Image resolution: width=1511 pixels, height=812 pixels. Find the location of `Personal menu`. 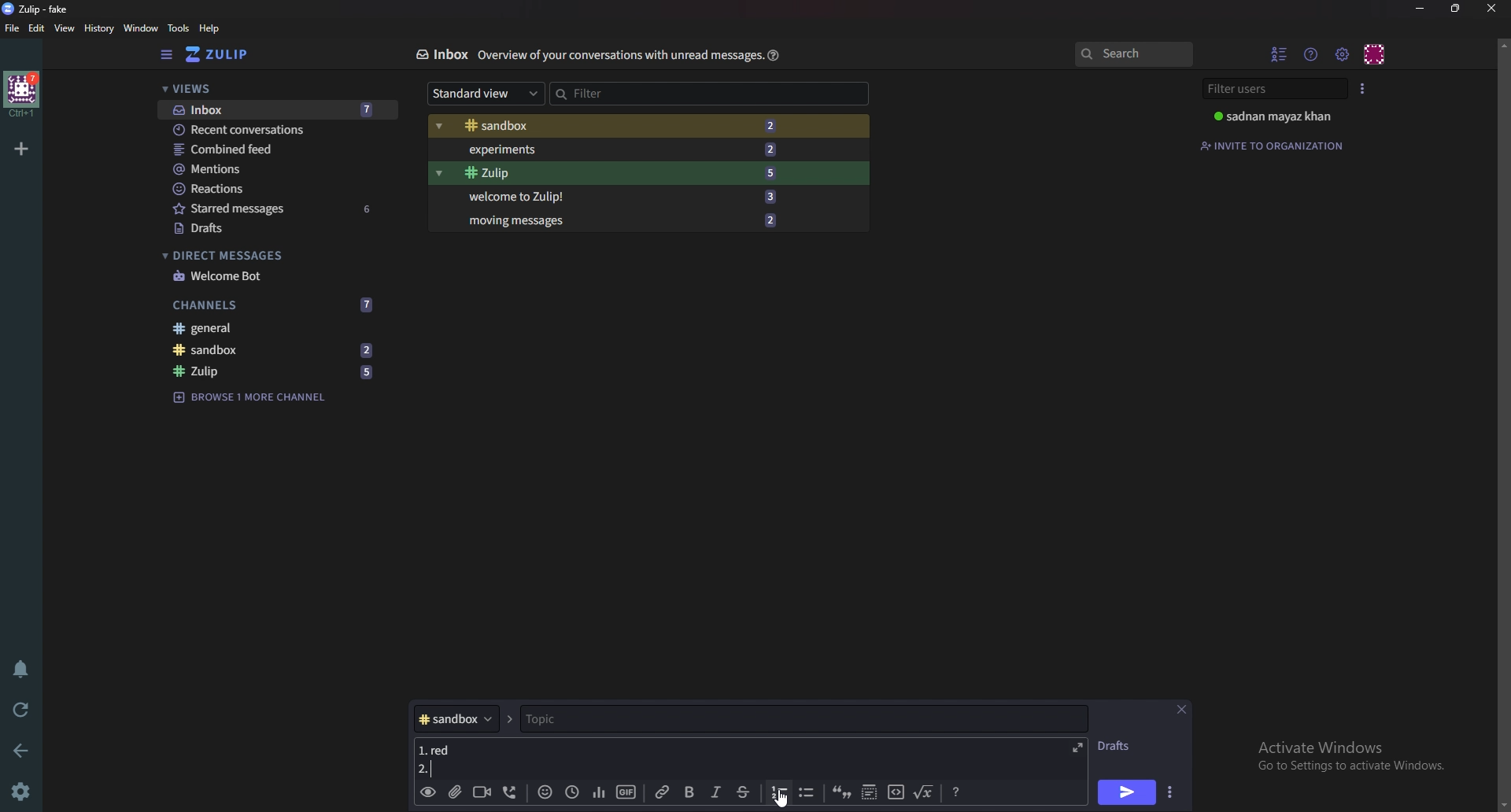

Personal menu is located at coordinates (1376, 53).